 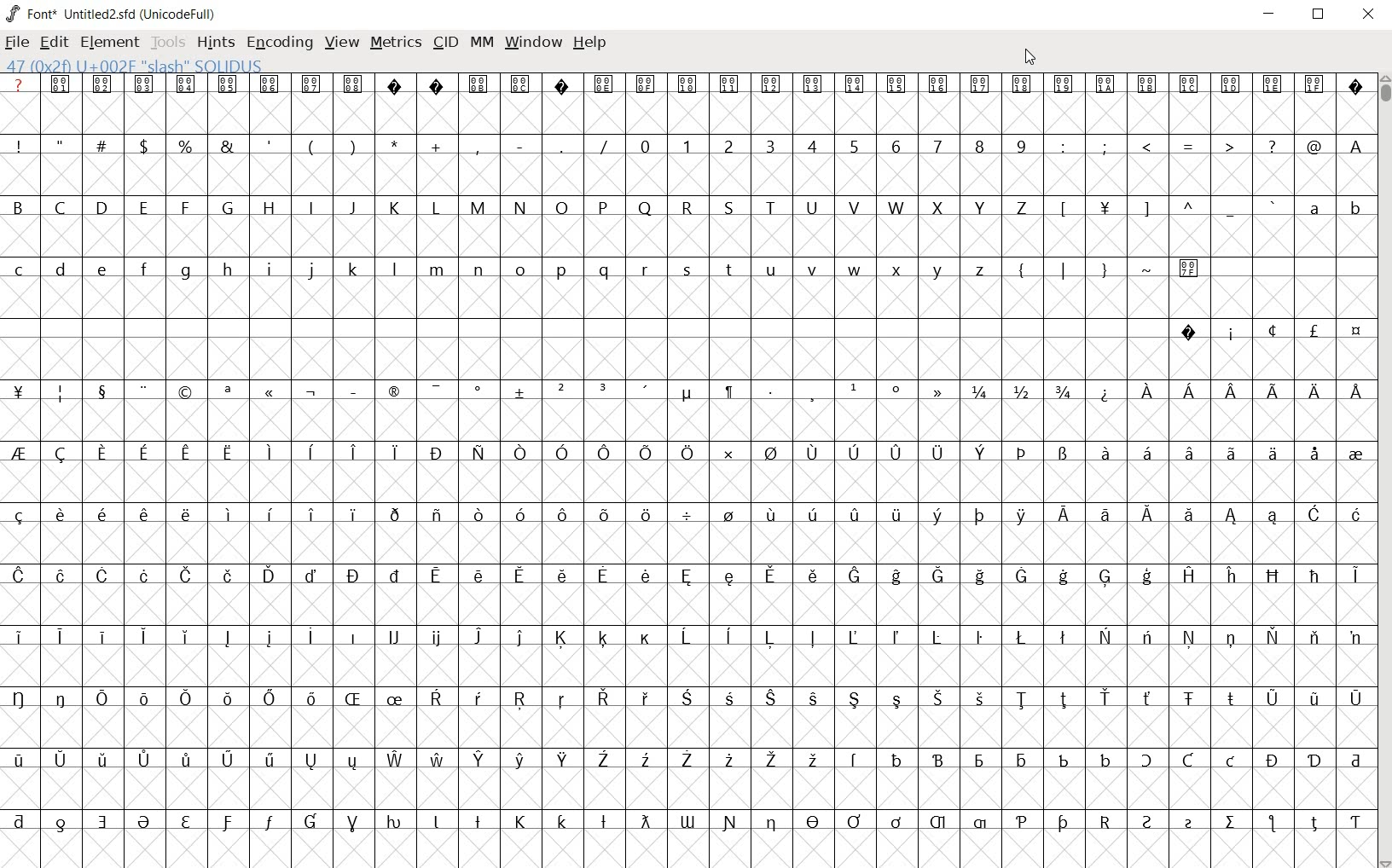 What do you see at coordinates (55, 43) in the screenshot?
I see `EDIT` at bounding box center [55, 43].